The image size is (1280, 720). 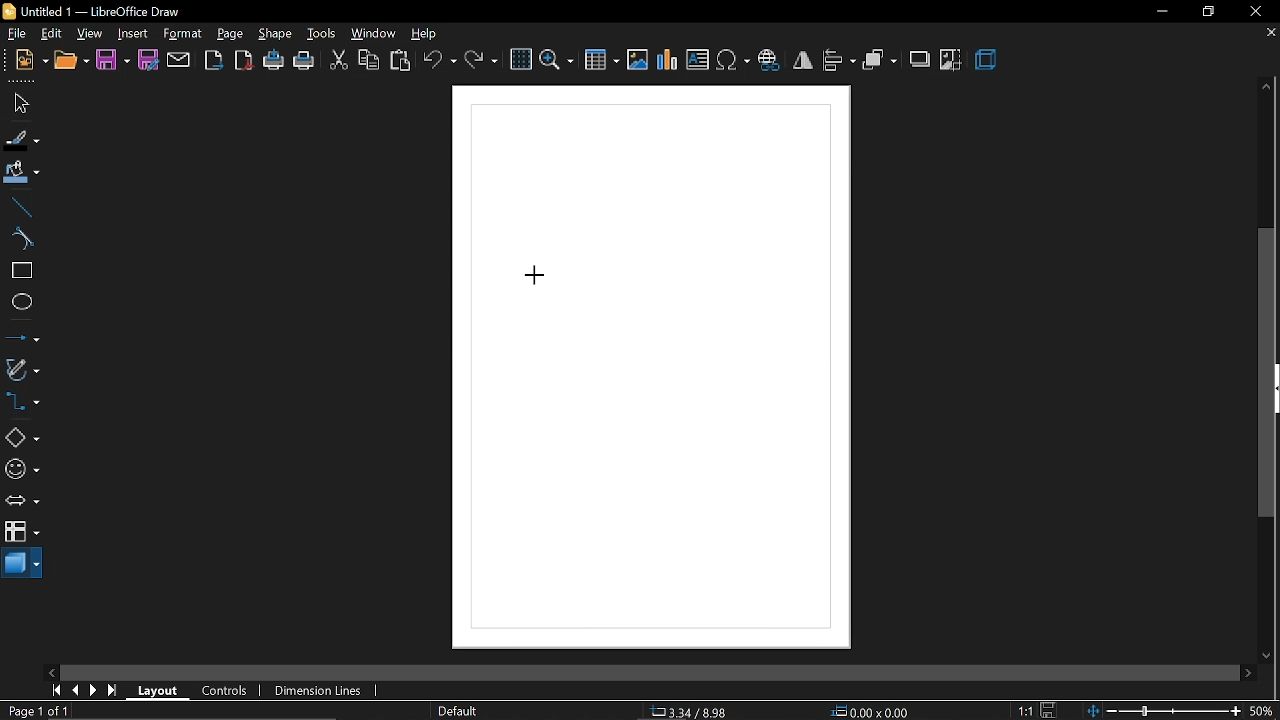 What do you see at coordinates (243, 61) in the screenshot?
I see `export as pdf` at bounding box center [243, 61].